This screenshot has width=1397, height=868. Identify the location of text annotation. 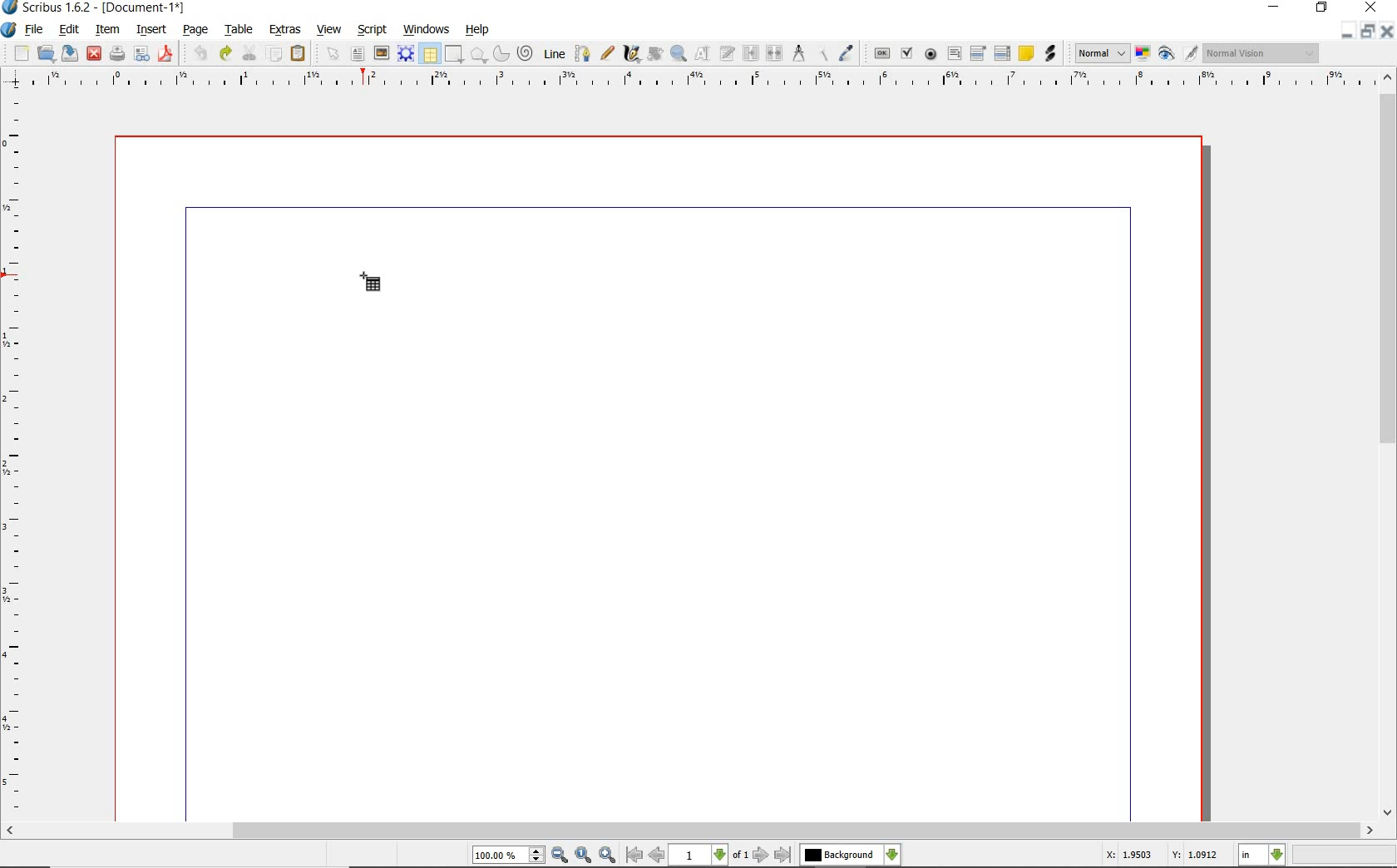
(1027, 54).